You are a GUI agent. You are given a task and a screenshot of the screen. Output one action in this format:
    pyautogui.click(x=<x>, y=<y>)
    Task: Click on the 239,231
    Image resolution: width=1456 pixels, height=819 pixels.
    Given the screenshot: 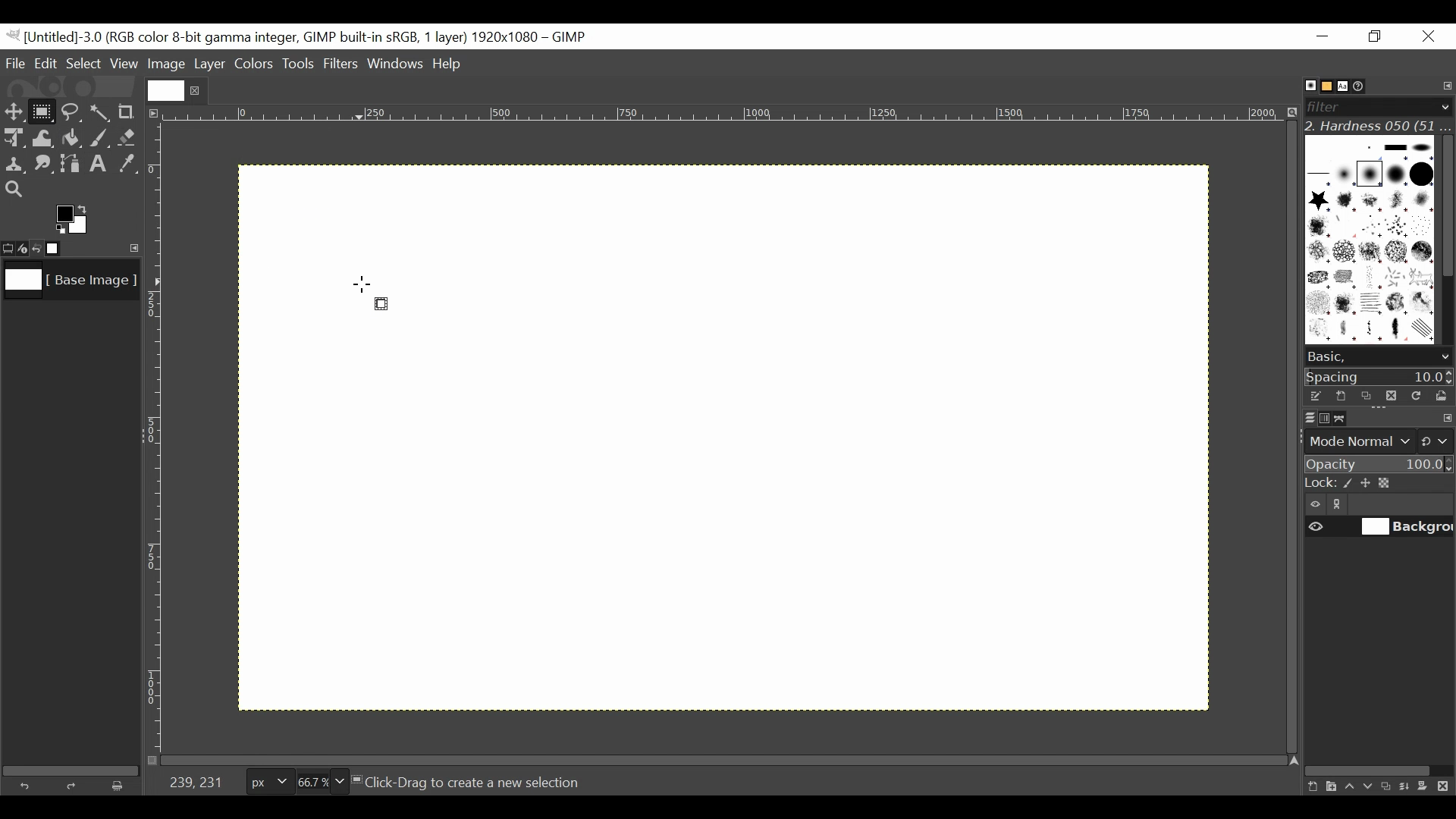 What is the action you would take?
    pyautogui.click(x=196, y=783)
    